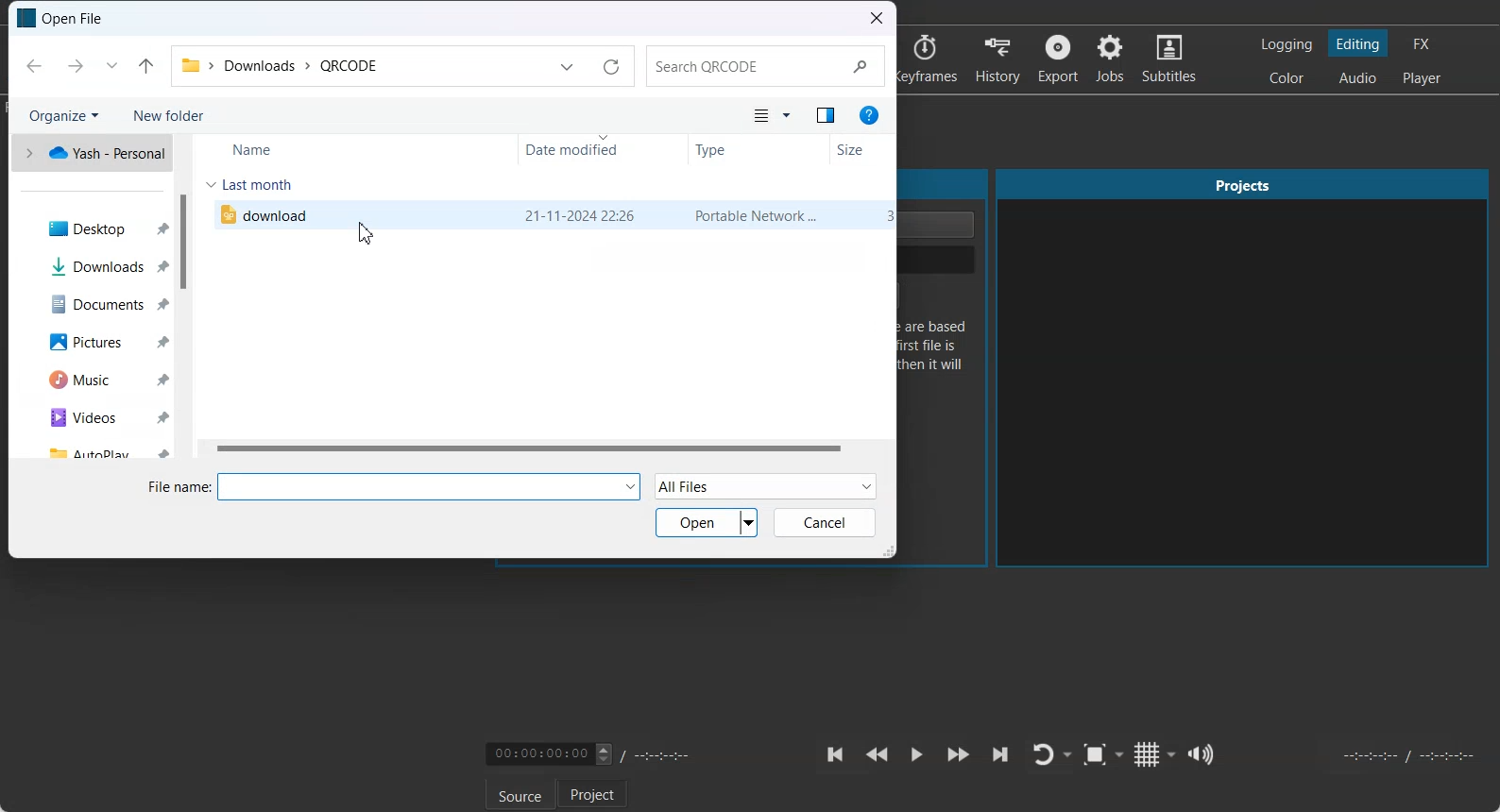 This screenshot has height=812, width=1500. What do you see at coordinates (959, 754) in the screenshot?
I see `Play Quickly Forward` at bounding box center [959, 754].